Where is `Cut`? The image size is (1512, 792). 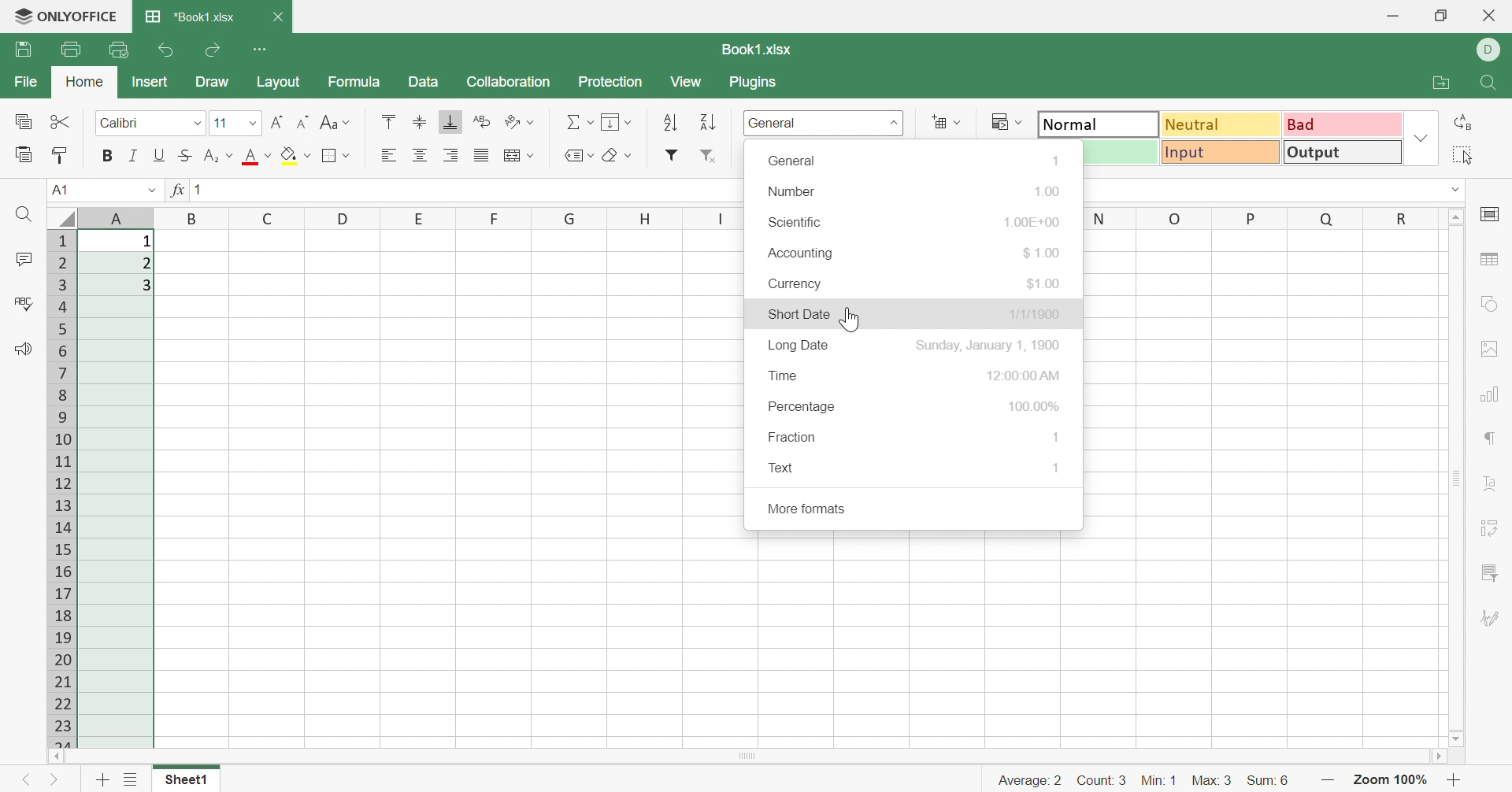
Cut is located at coordinates (64, 121).